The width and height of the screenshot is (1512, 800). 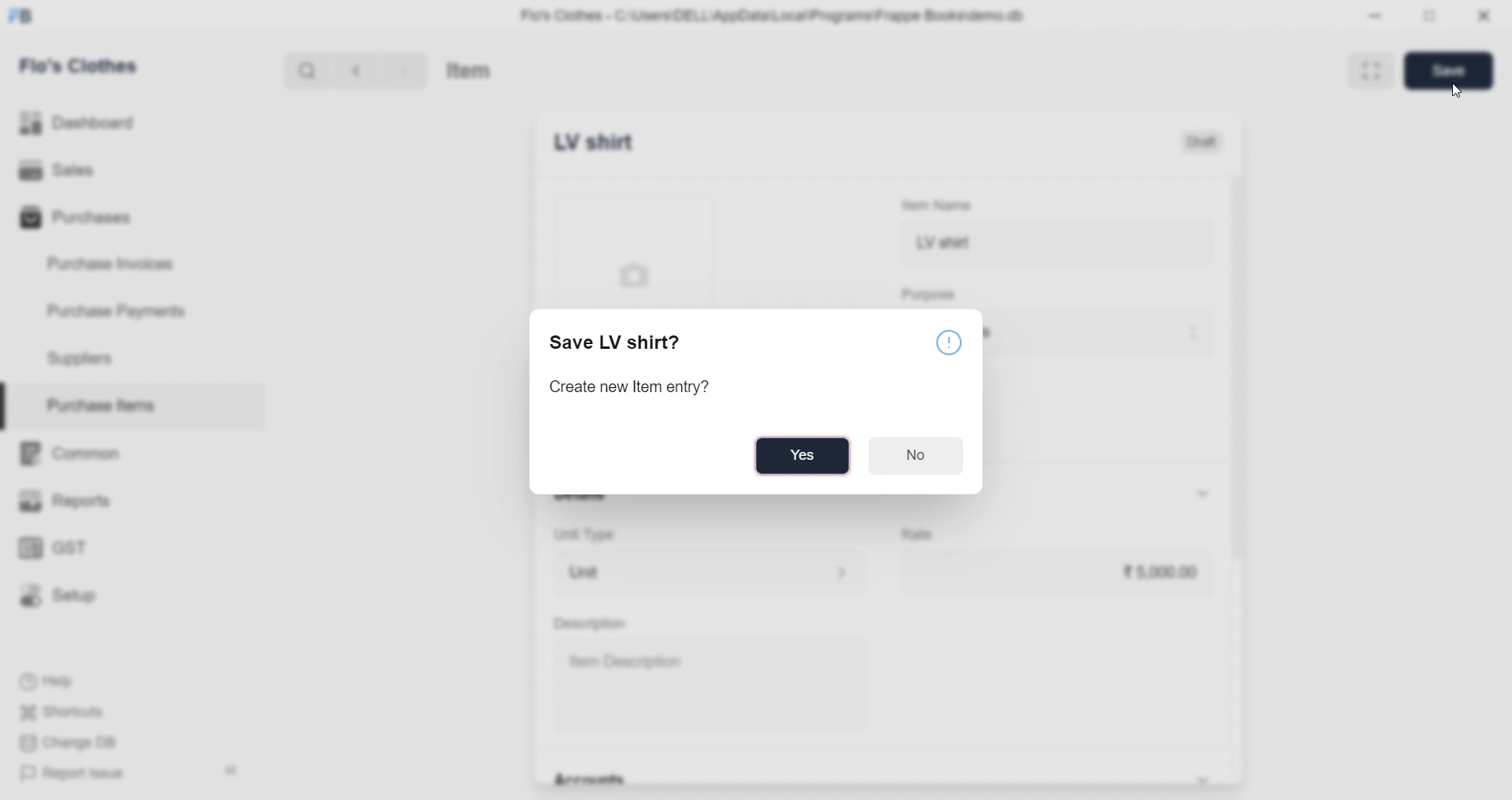 I want to click on Yes, so click(x=803, y=455).